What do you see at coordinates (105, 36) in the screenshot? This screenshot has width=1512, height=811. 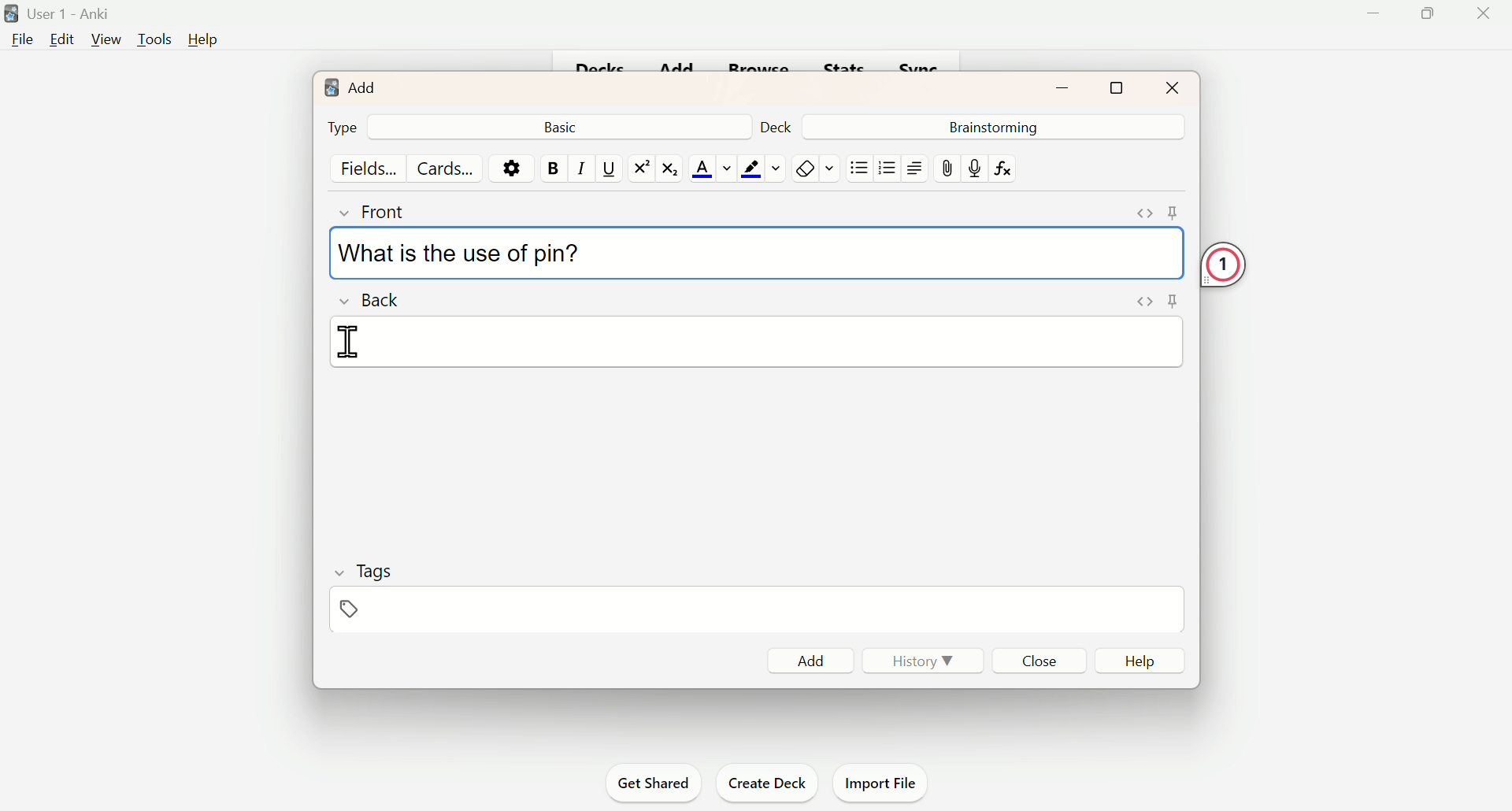 I see `` at bounding box center [105, 36].